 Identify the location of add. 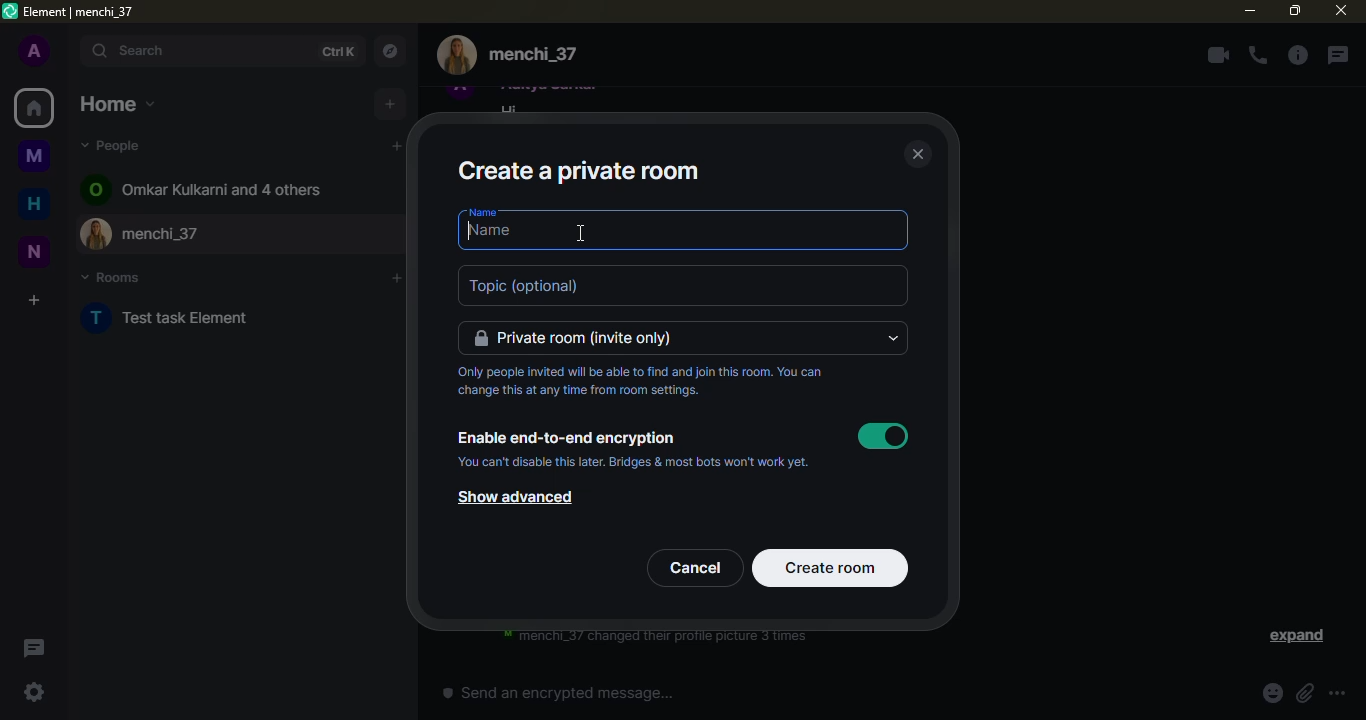
(396, 278).